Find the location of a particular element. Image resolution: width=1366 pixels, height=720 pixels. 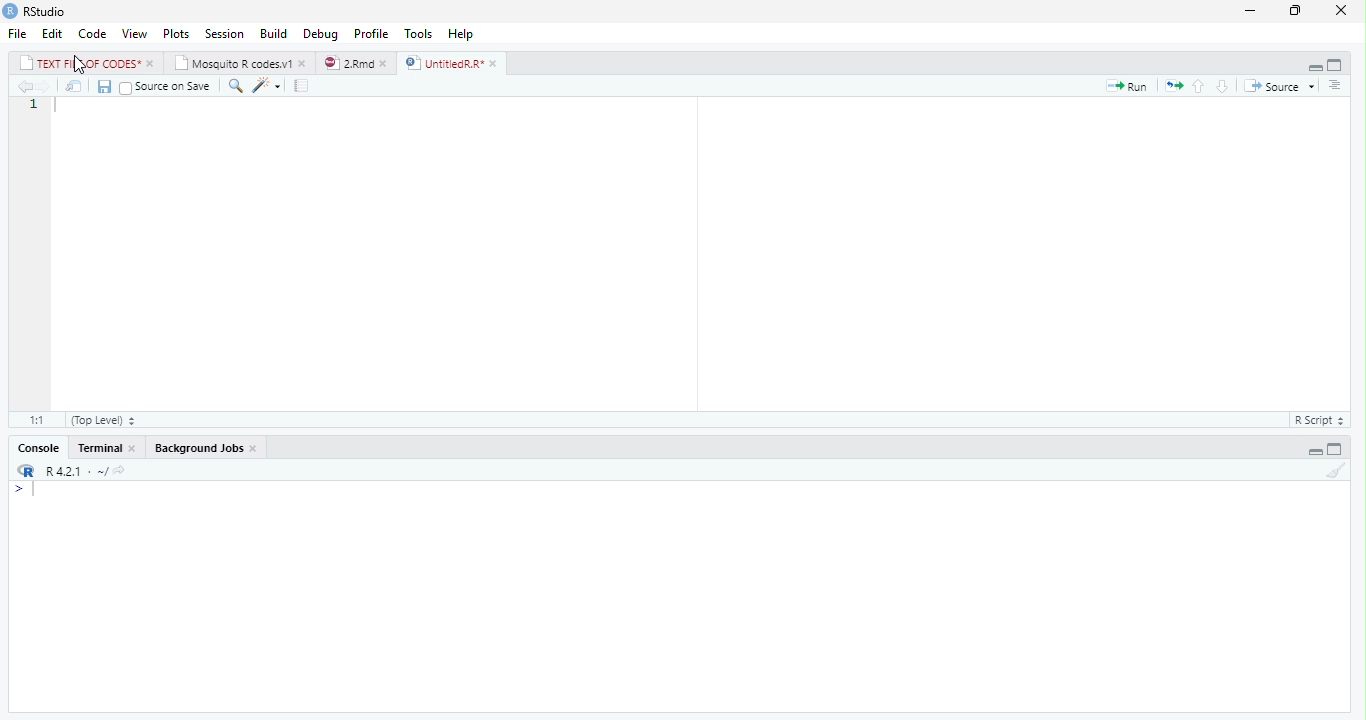

Find/Replace is located at coordinates (234, 86).